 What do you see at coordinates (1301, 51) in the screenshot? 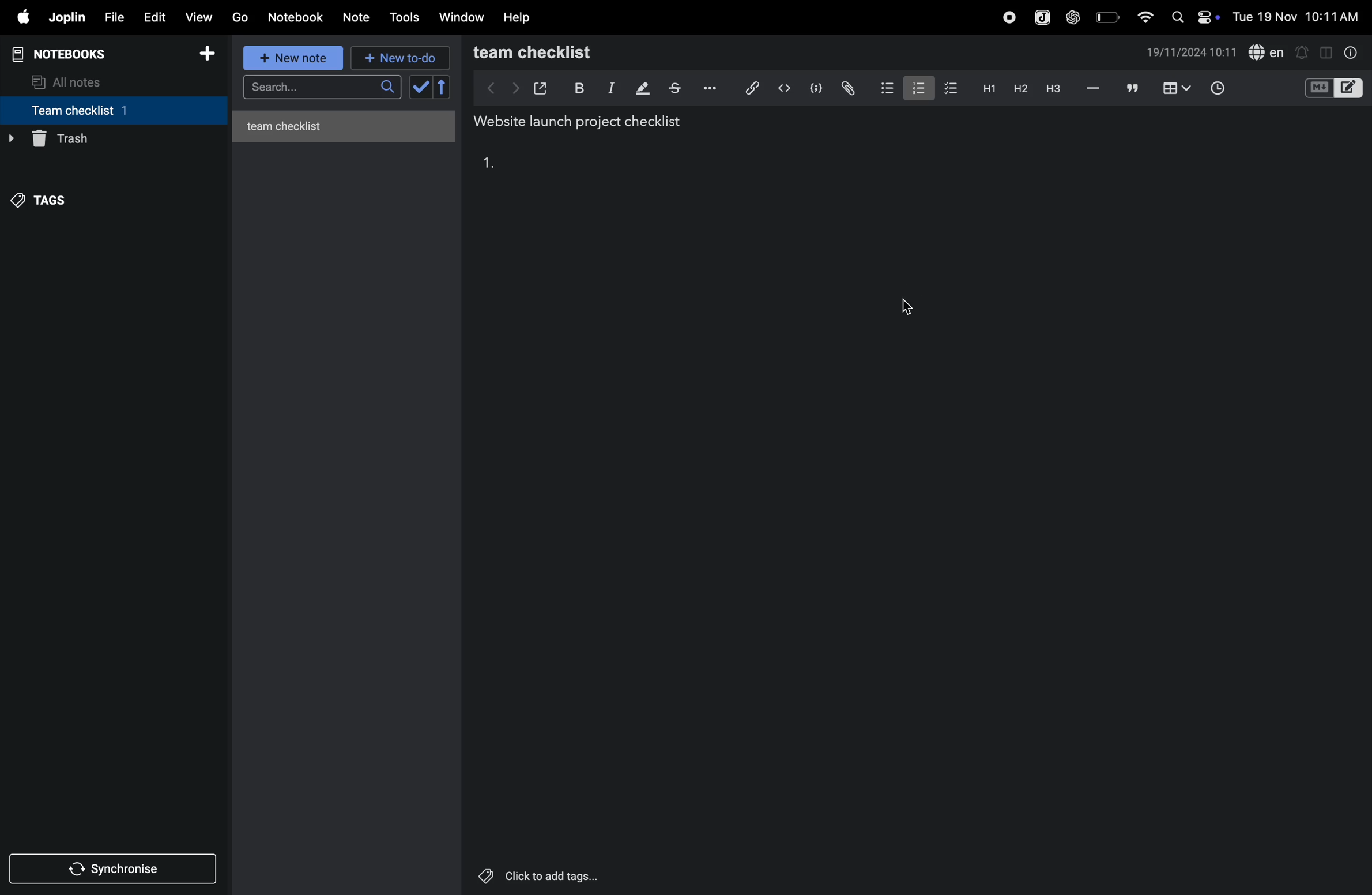
I see `` at bounding box center [1301, 51].